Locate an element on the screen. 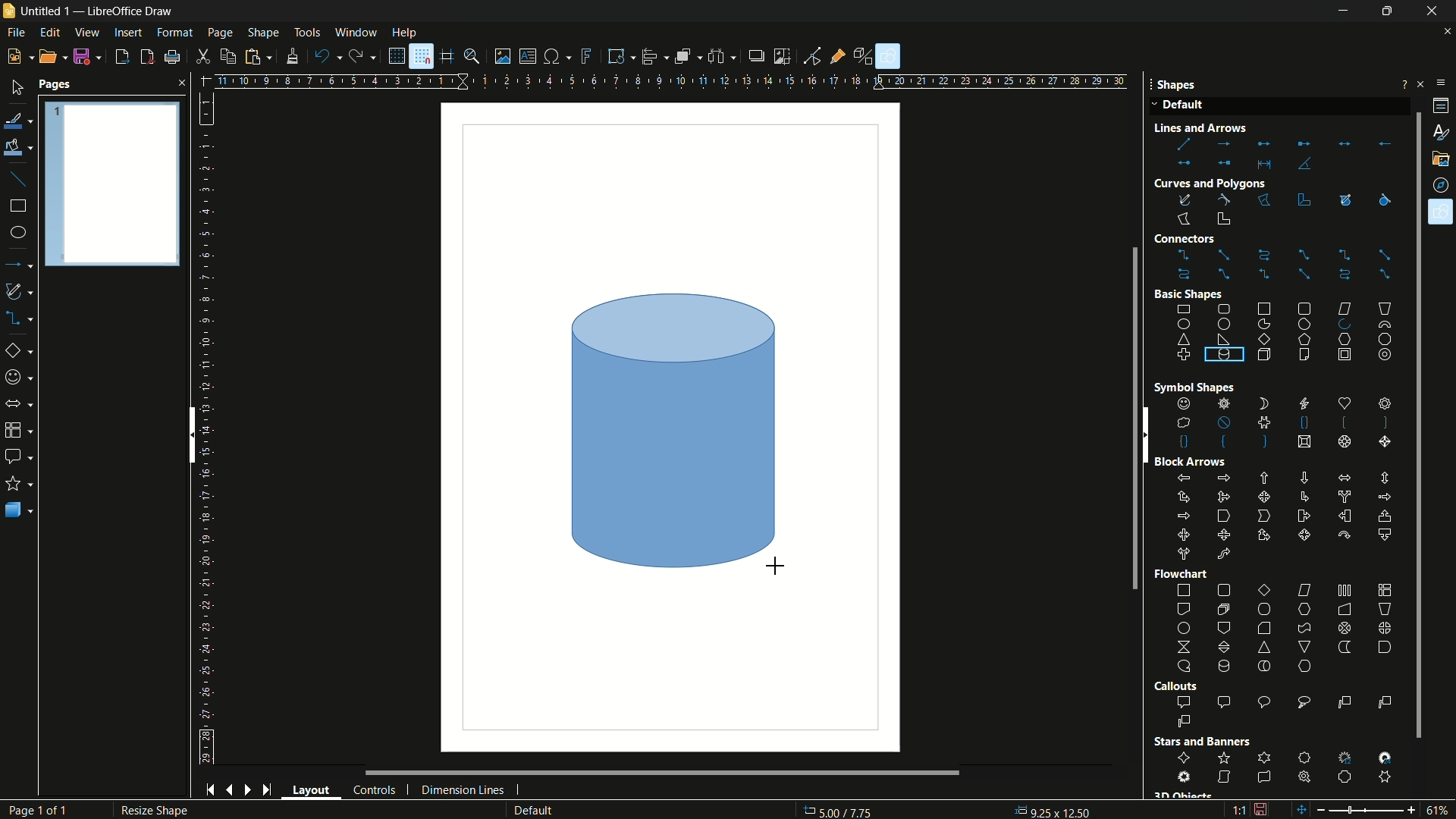 This screenshot has height=819, width=1456. scroll bar is located at coordinates (634, 773).